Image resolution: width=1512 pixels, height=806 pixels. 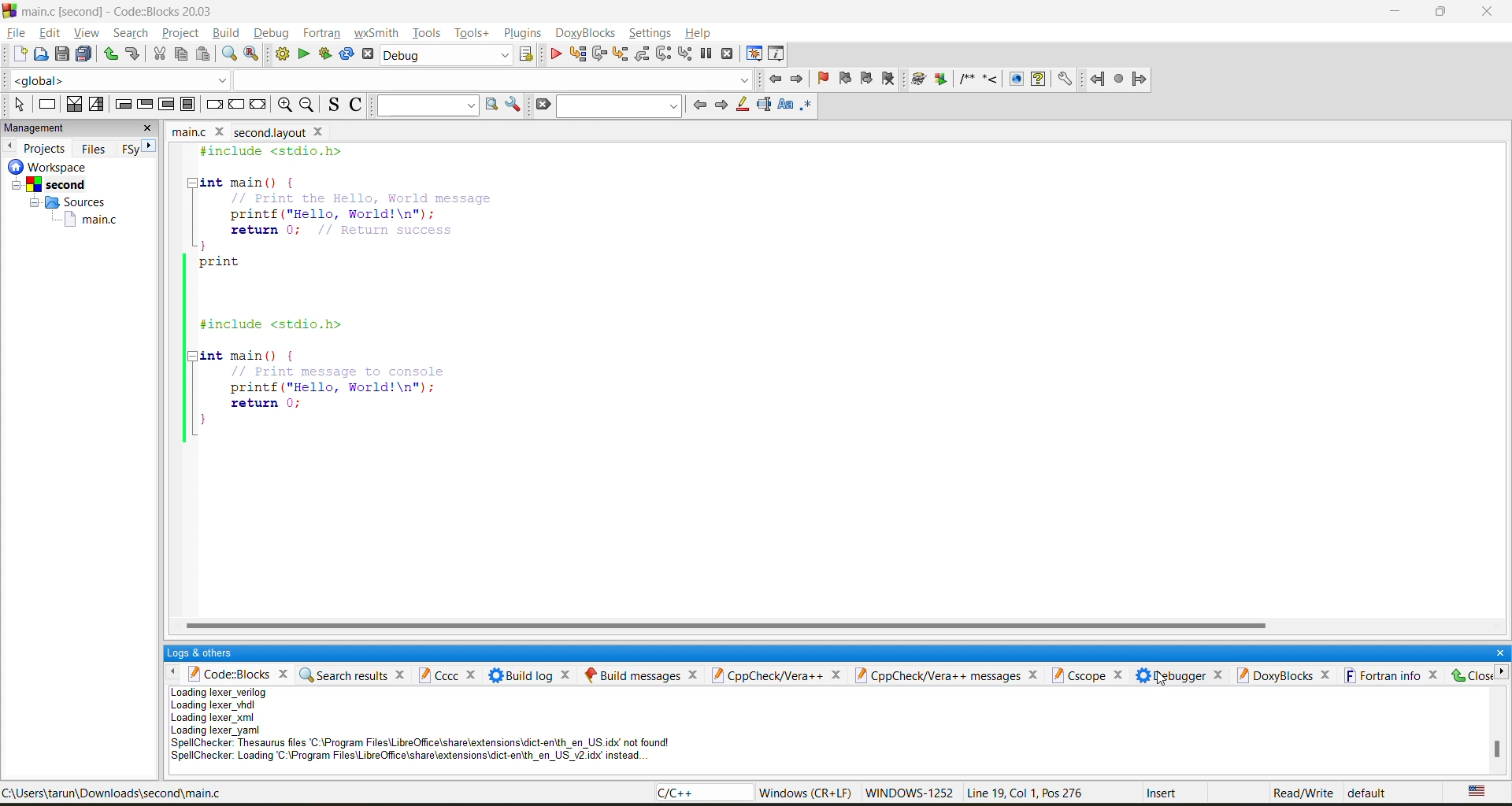 I want to click on step into instruction, so click(x=684, y=55).